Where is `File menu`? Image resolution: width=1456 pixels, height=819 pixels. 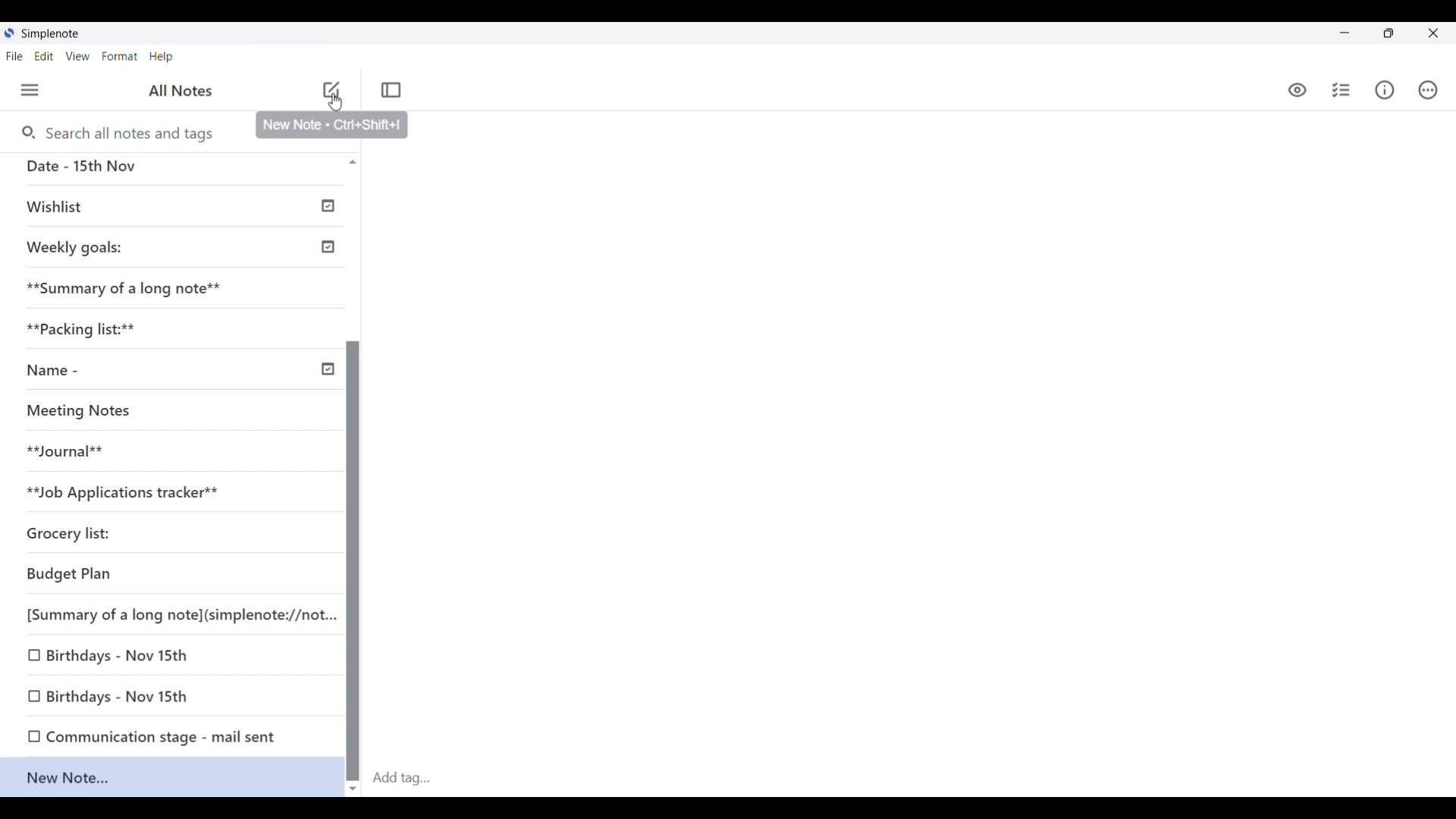 File menu is located at coordinates (14, 56).